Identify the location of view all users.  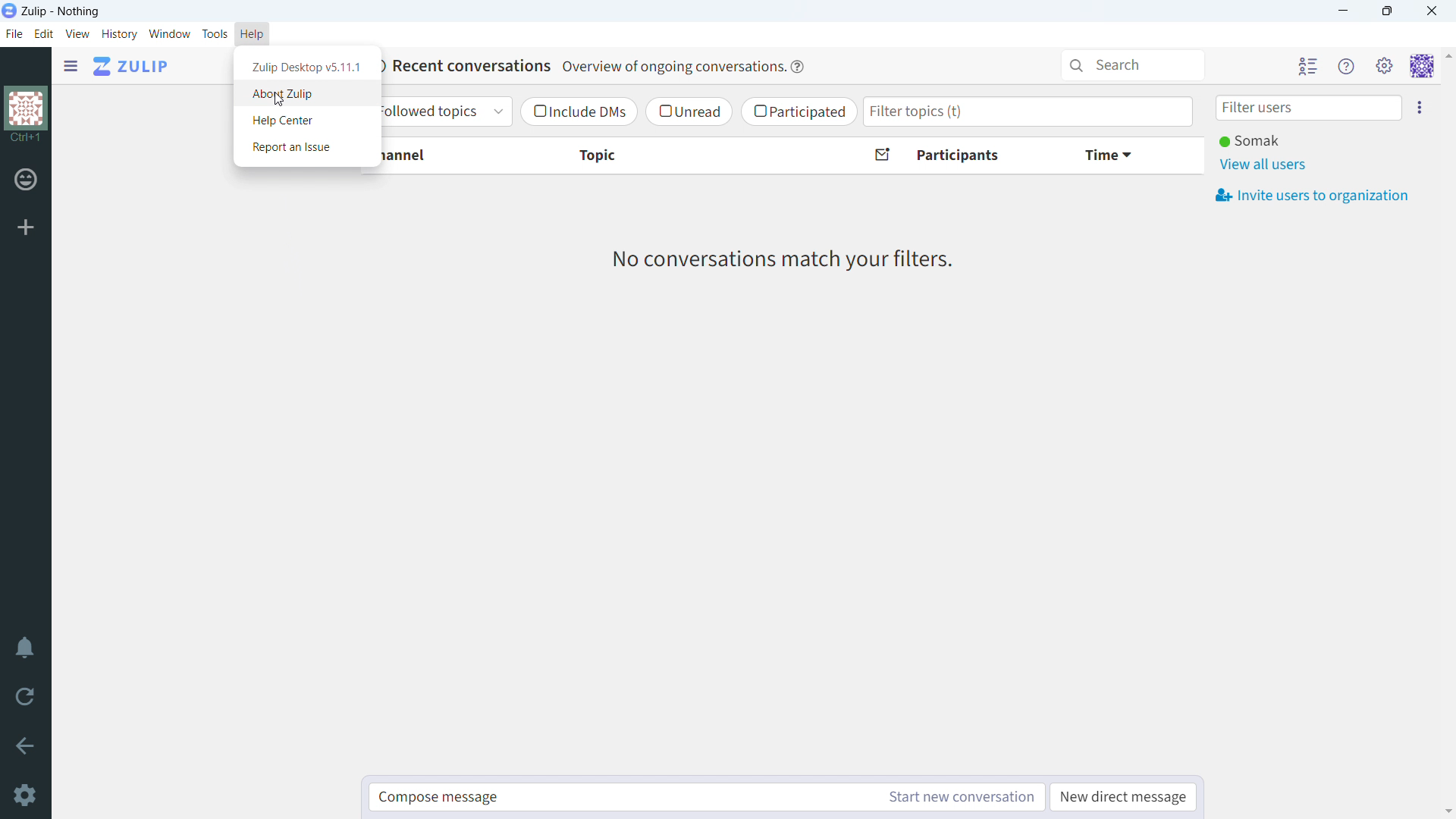
(1264, 165).